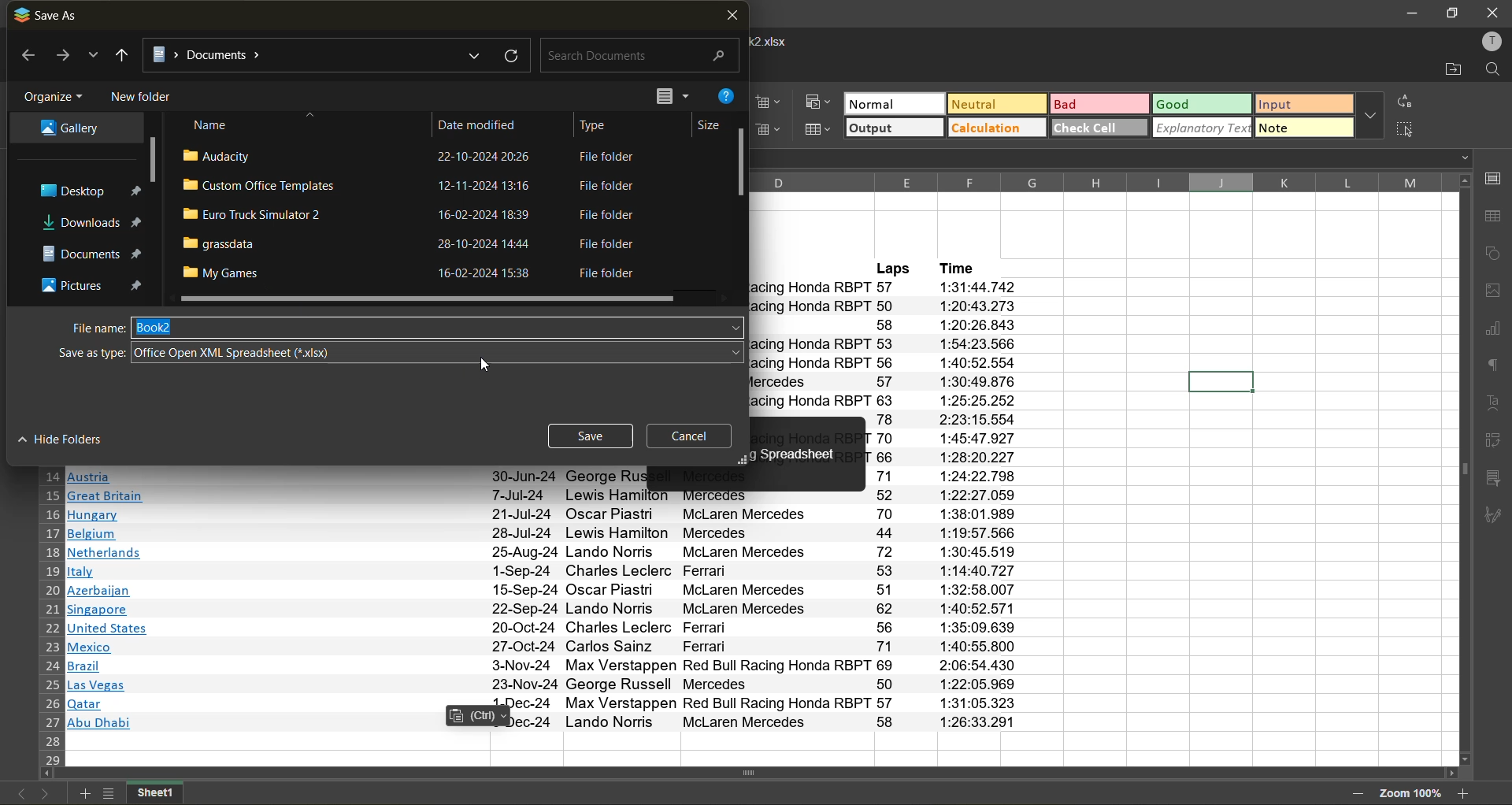 This screenshot has height=805, width=1512. I want to click on filename, so click(776, 40).